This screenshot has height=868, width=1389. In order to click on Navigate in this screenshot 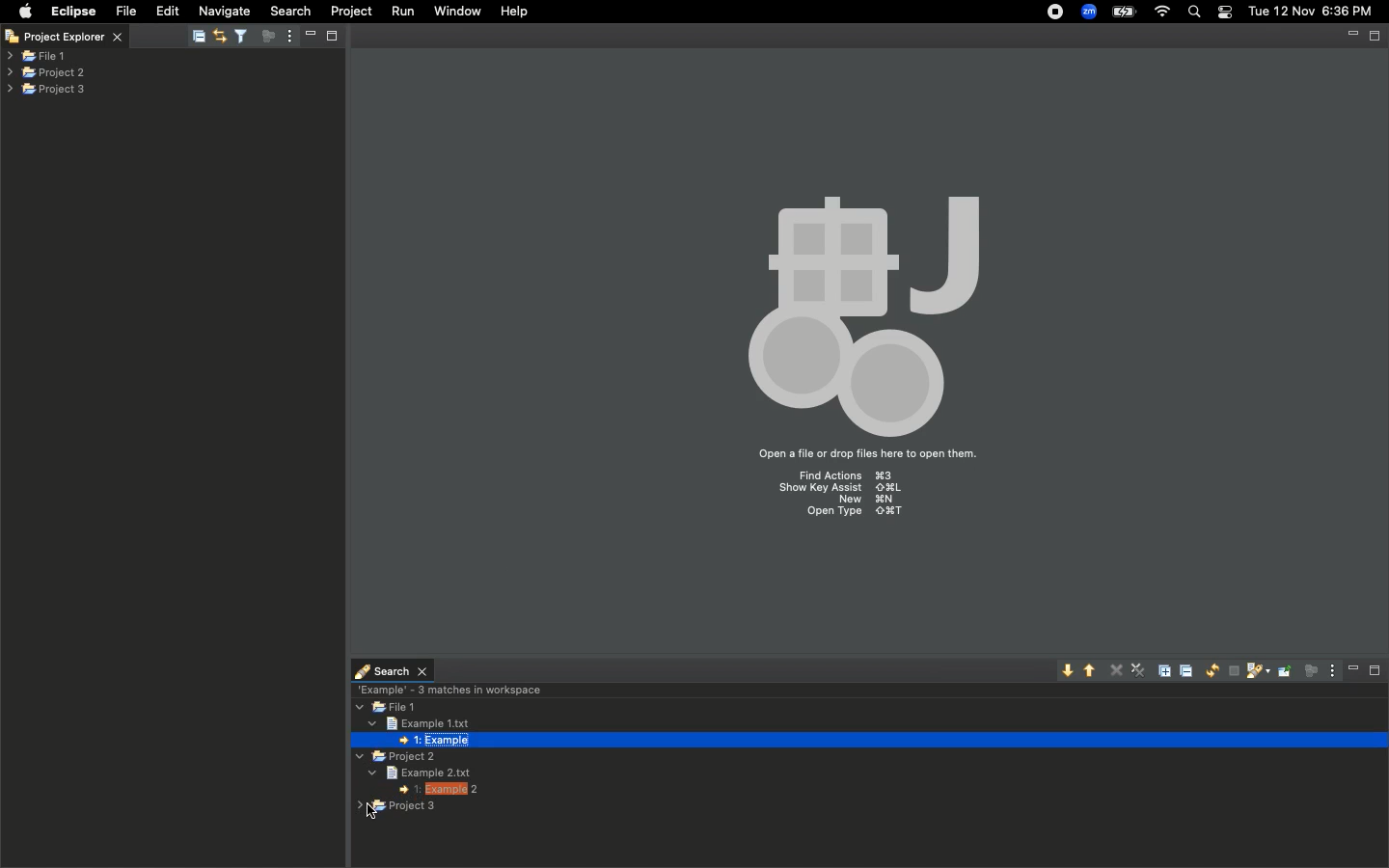, I will do `click(226, 12)`.